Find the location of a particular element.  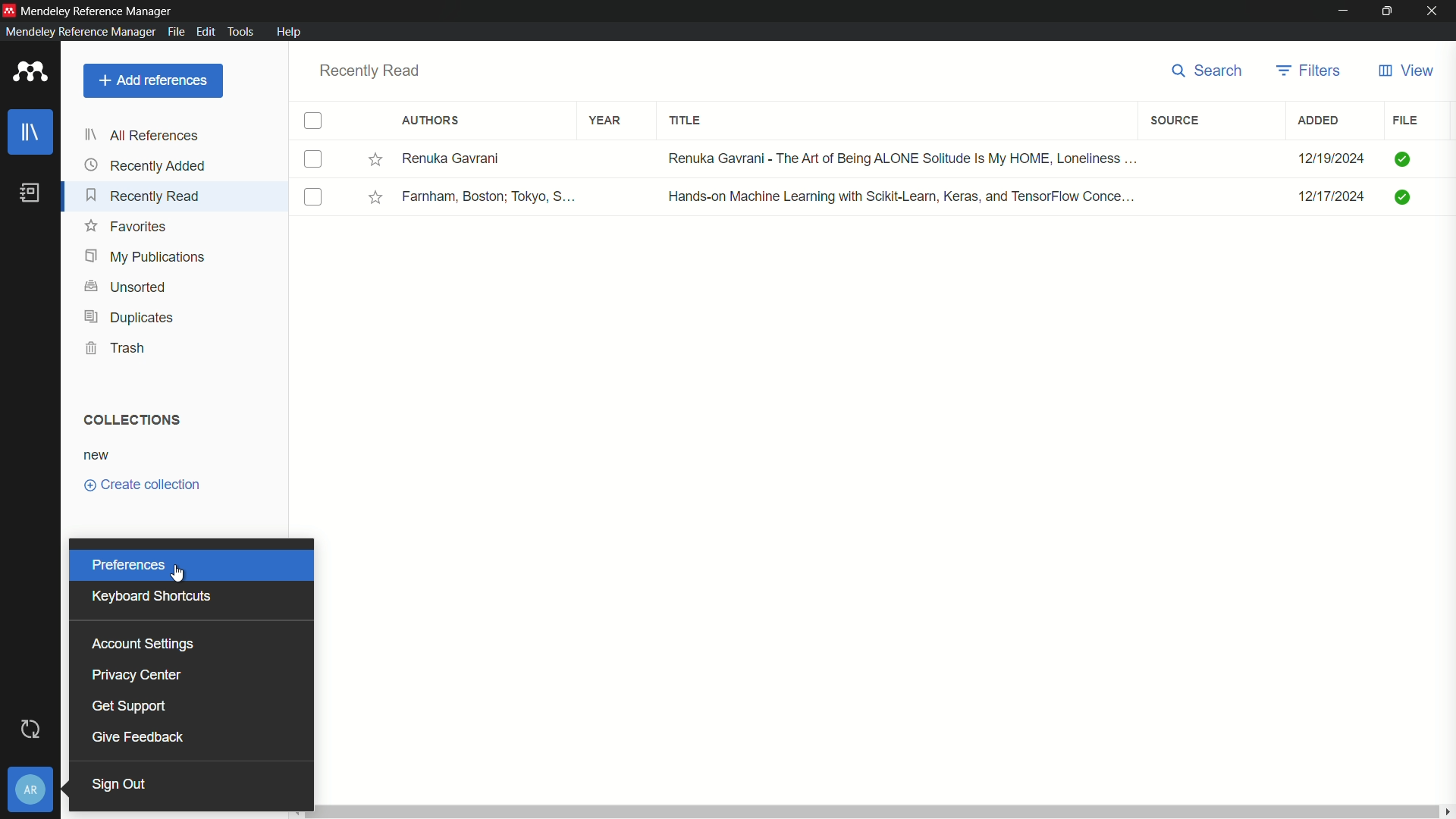

recently read is located at coordinates (141, 195).